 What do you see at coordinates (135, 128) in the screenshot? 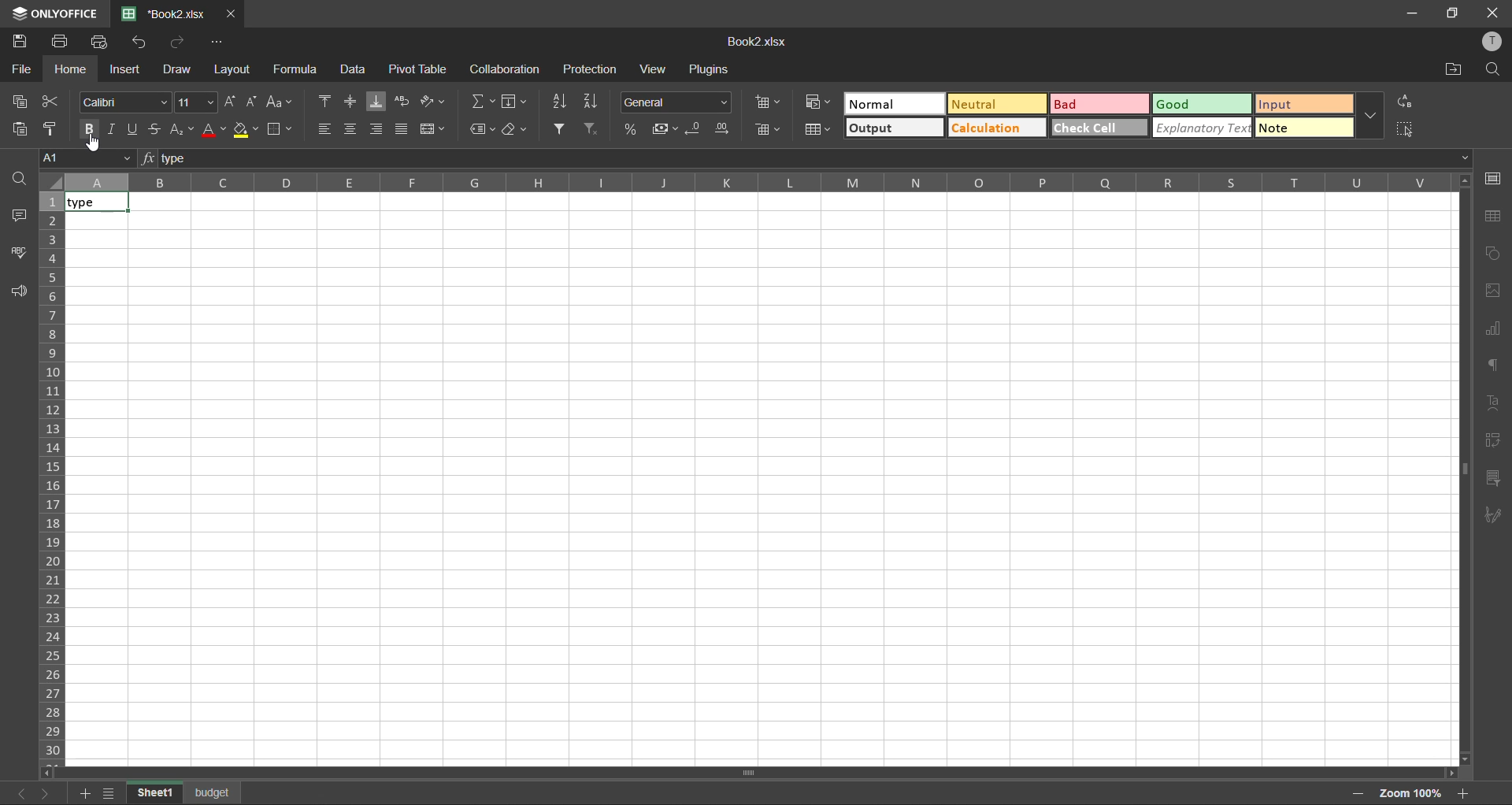
I see `underline` at bounding box center [135, 128].